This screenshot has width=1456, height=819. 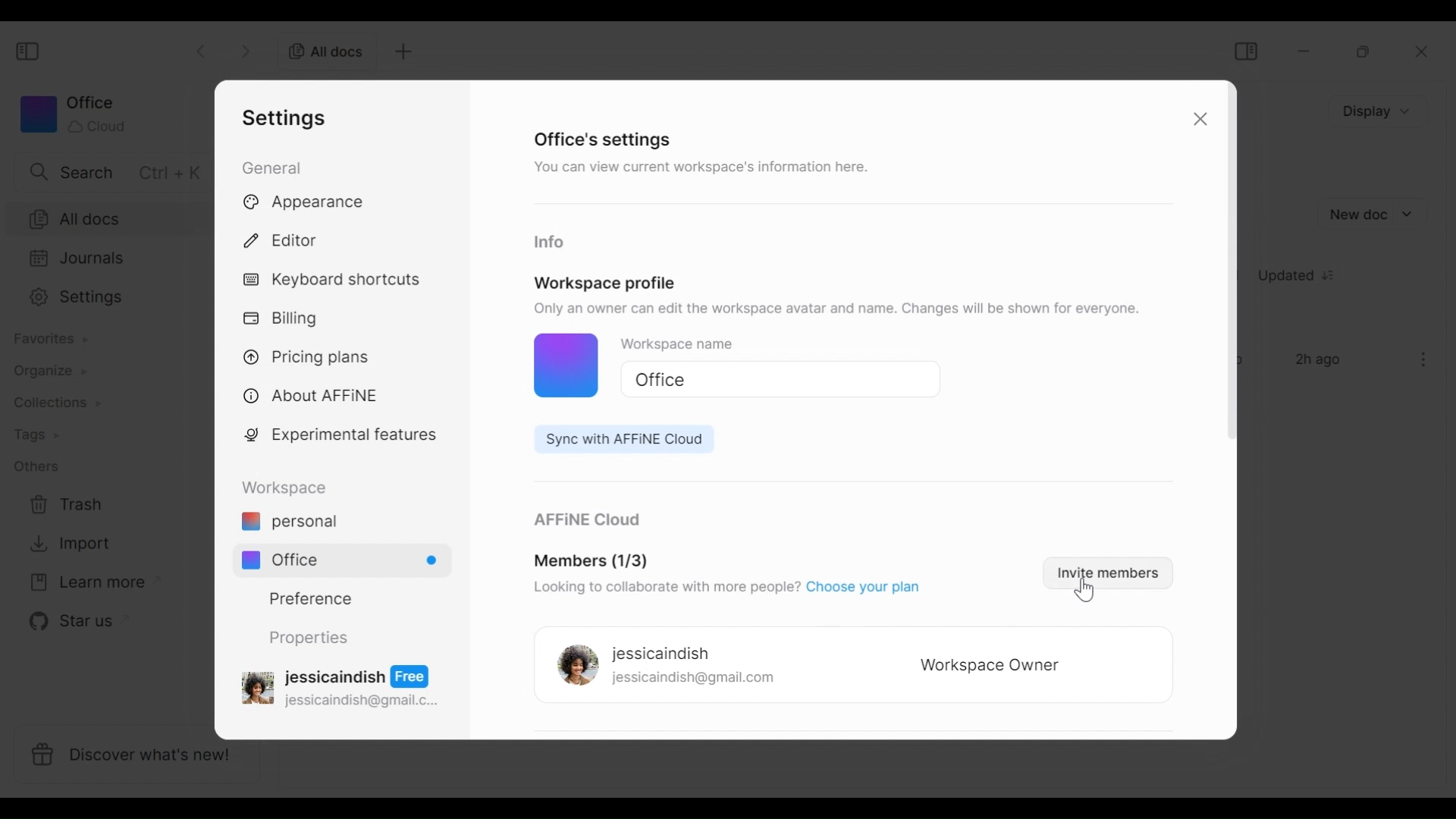 What do you see at coordinates (111, 171) in the screenshot?
I see `Search` at bounding box center [111, 171].